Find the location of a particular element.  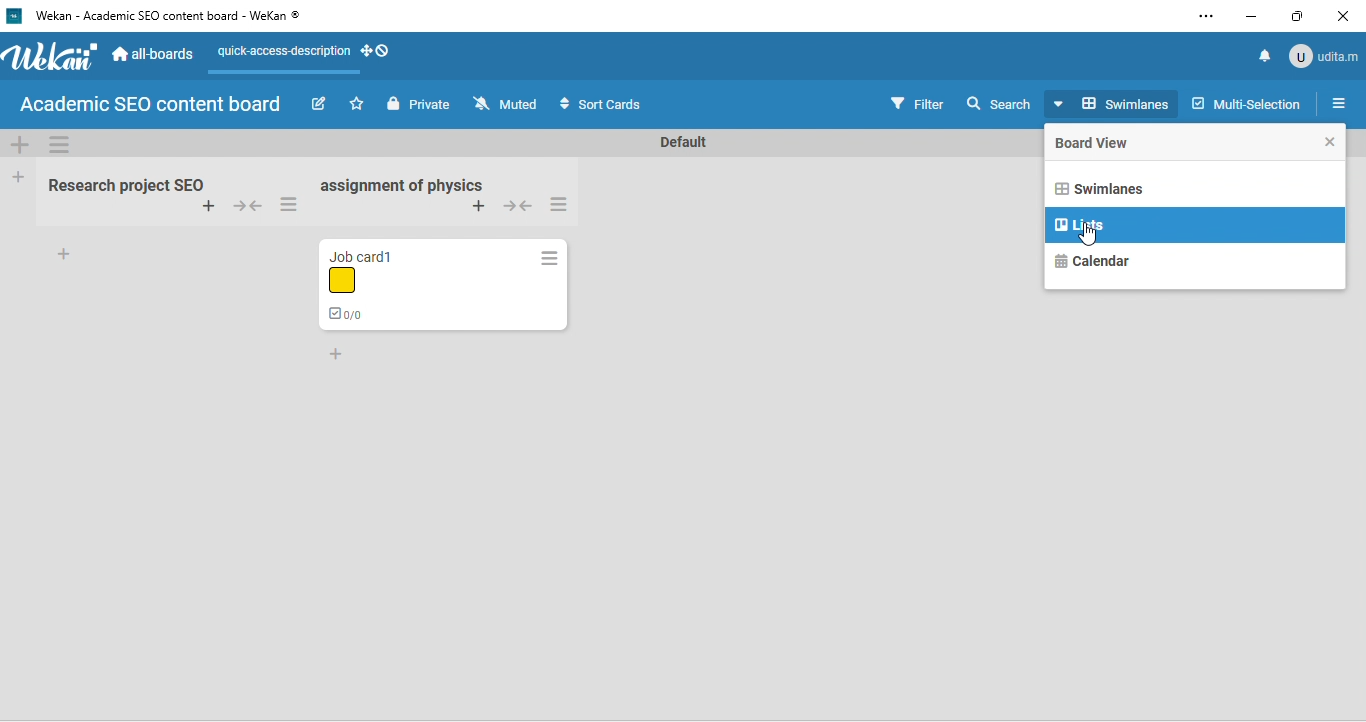

list action is located at coordinates (548, 258).